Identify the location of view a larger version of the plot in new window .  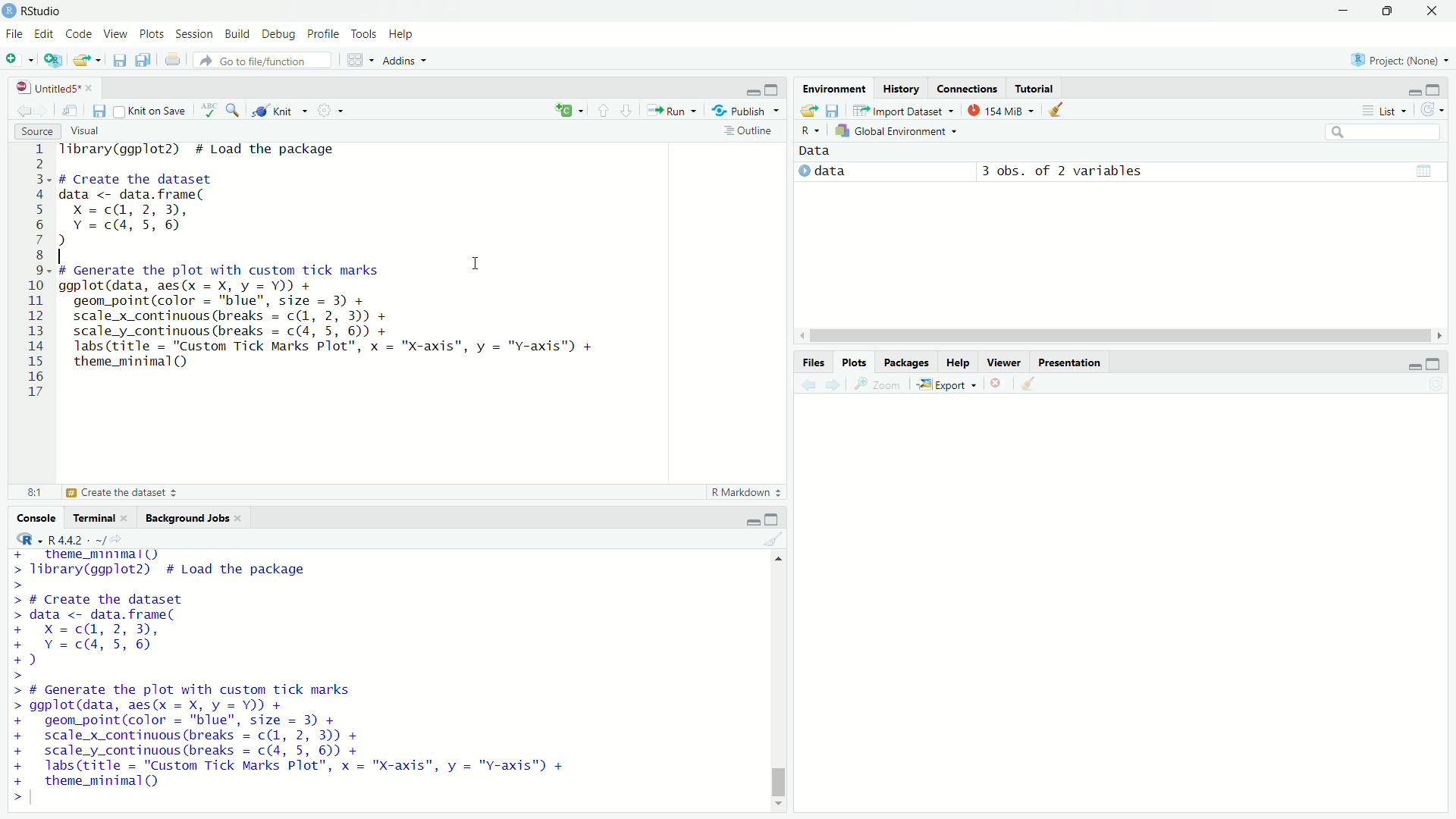
(878, 385).